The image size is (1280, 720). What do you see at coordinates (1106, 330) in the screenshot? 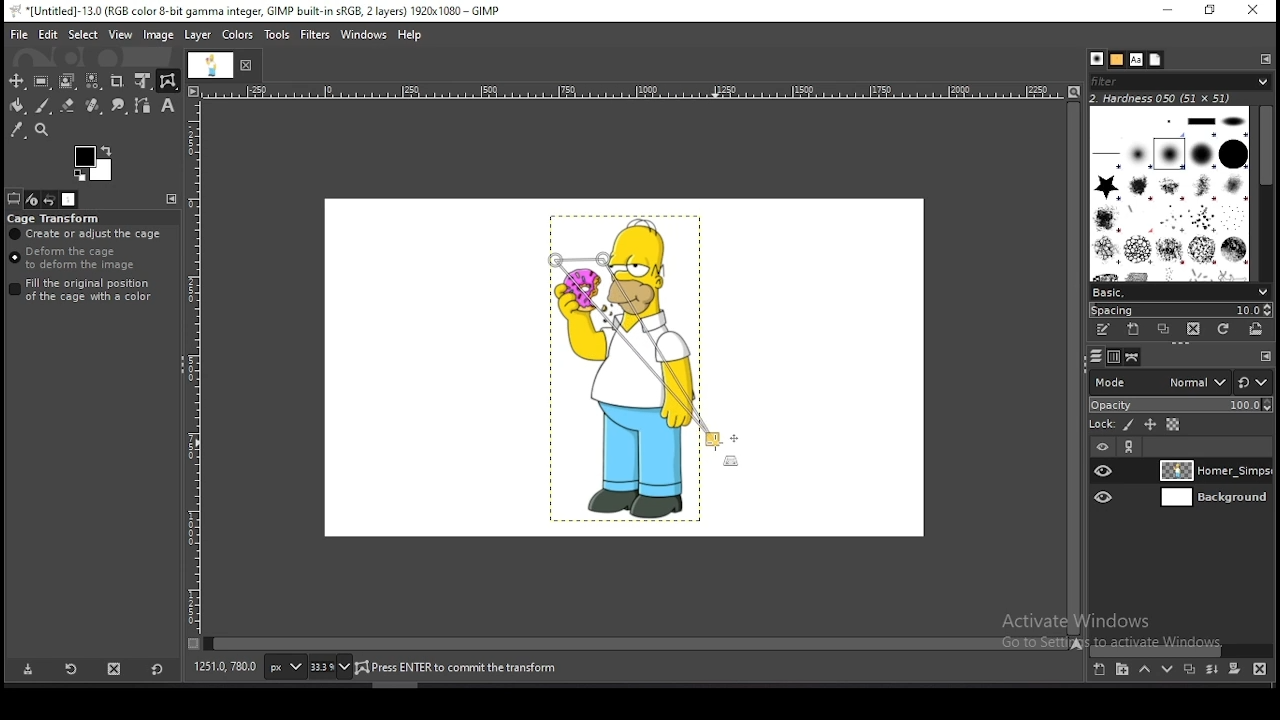
I see `edit this brush` at bounding box center [1106, 330].